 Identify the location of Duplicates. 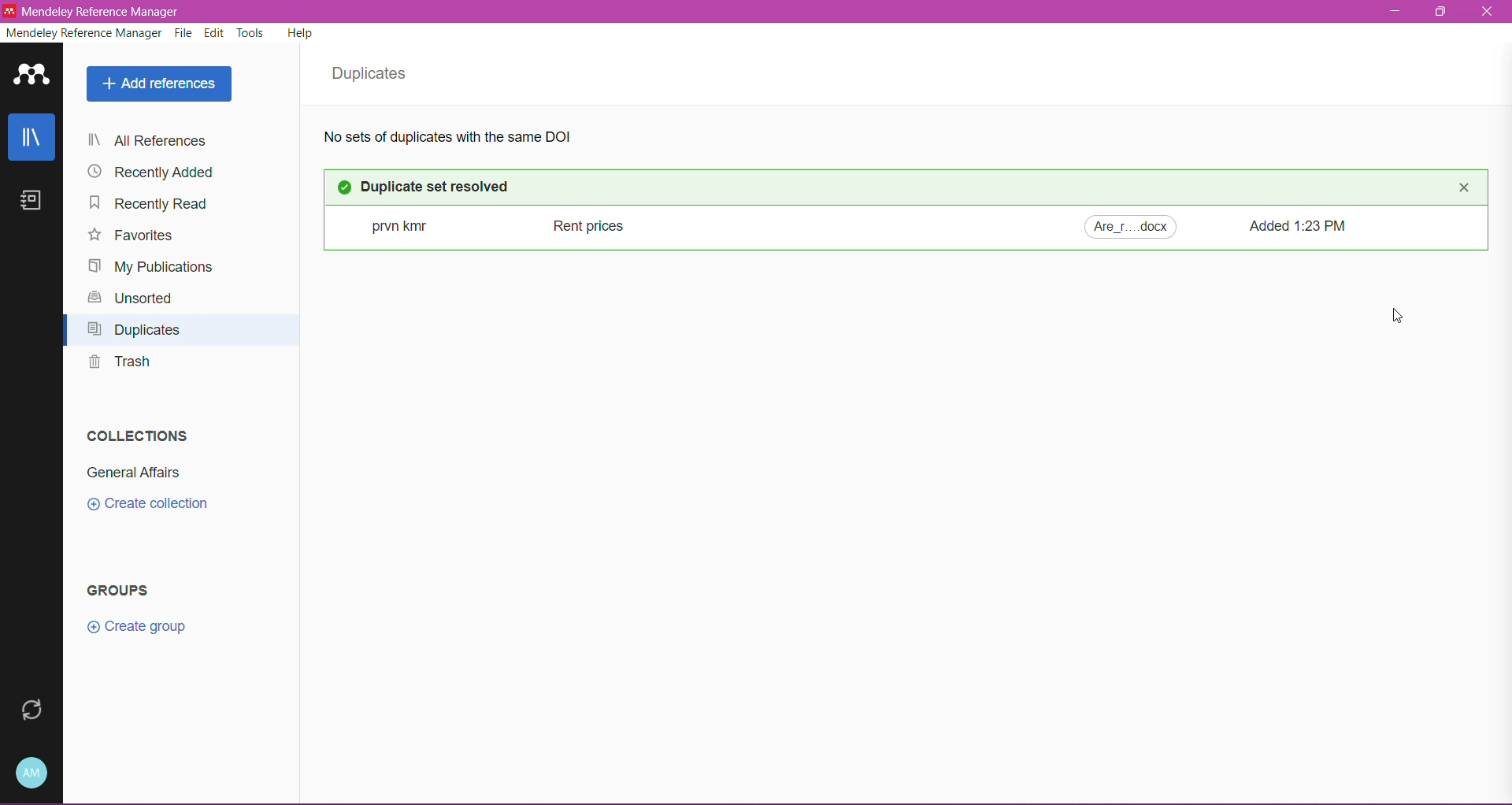
(374, 74).